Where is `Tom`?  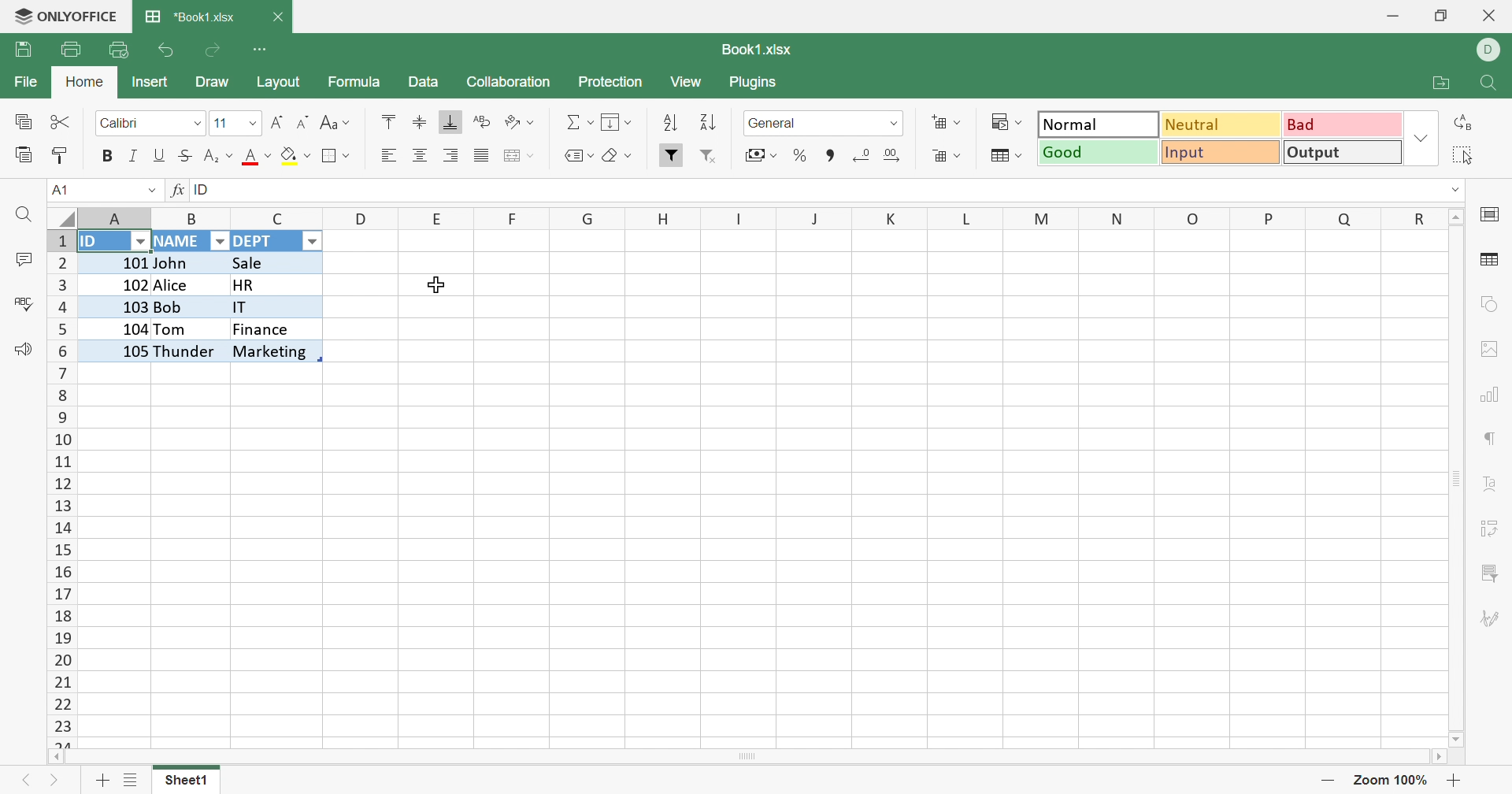 Tom is located at coordinates (173, 328).